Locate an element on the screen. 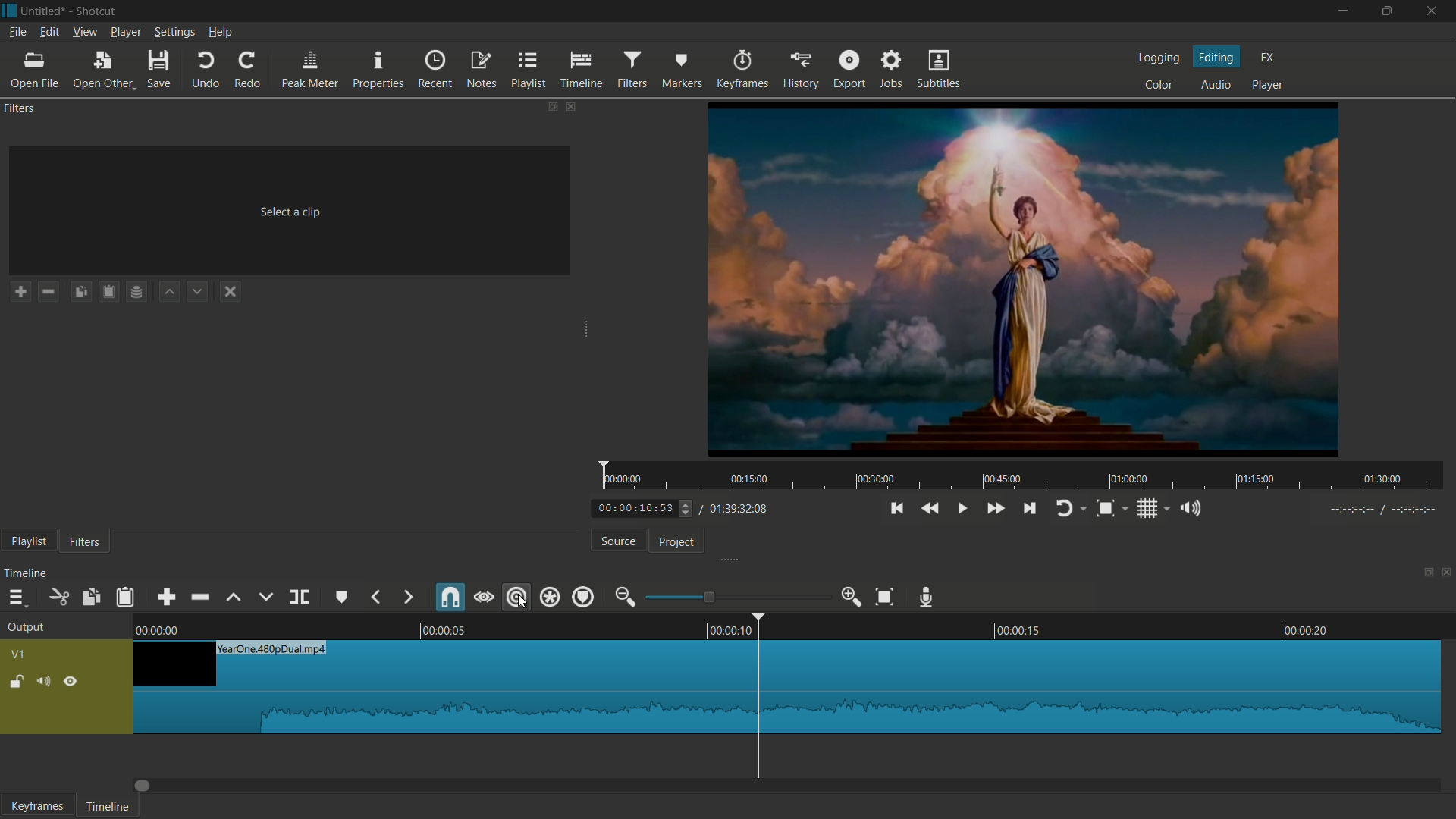 The image size is (1456, 819). save is located at coordinates (159, 69).